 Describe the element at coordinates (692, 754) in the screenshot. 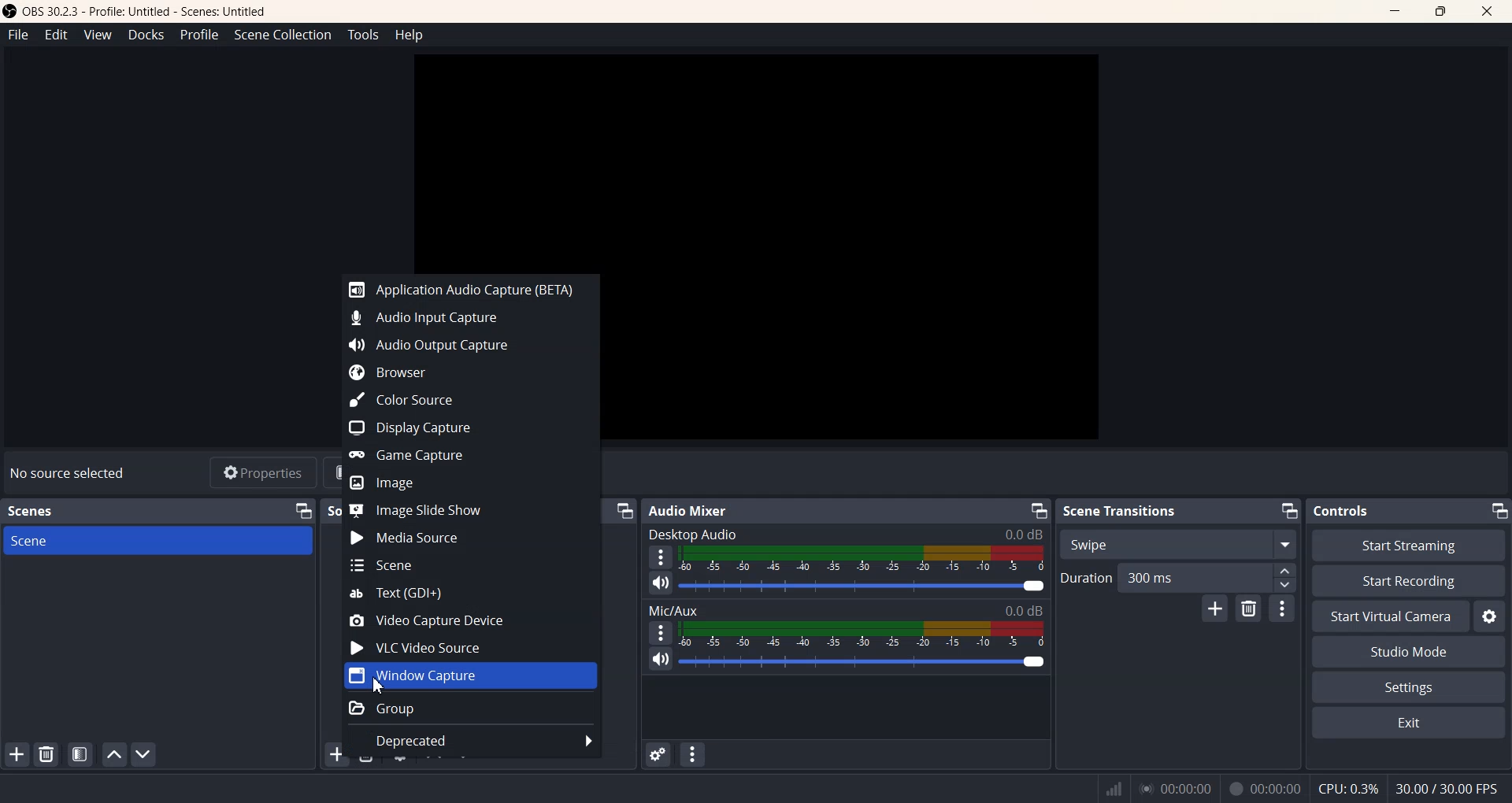

I see `Audio mixer menu` at that location.